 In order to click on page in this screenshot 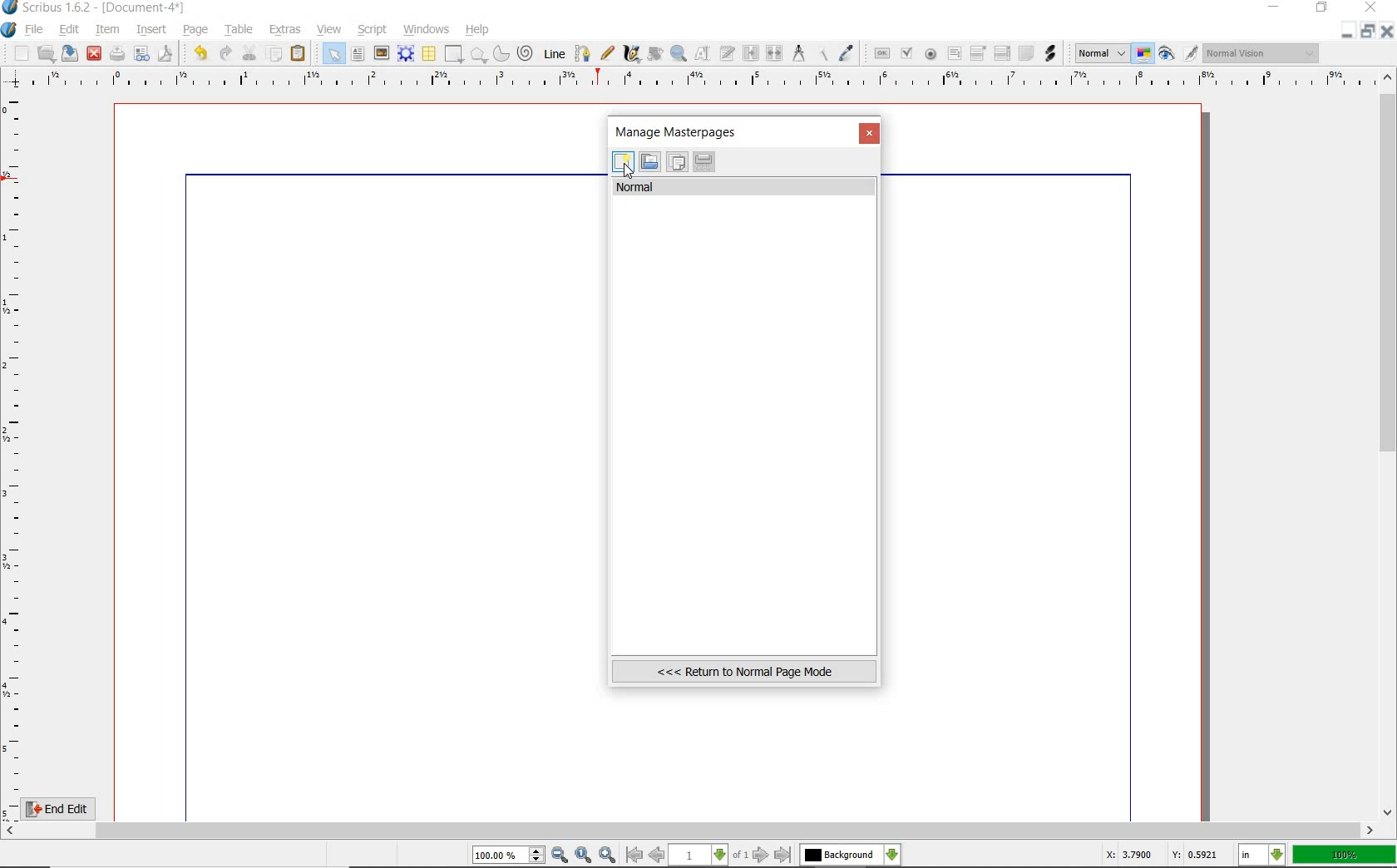, I will do `click(196, 28)`.